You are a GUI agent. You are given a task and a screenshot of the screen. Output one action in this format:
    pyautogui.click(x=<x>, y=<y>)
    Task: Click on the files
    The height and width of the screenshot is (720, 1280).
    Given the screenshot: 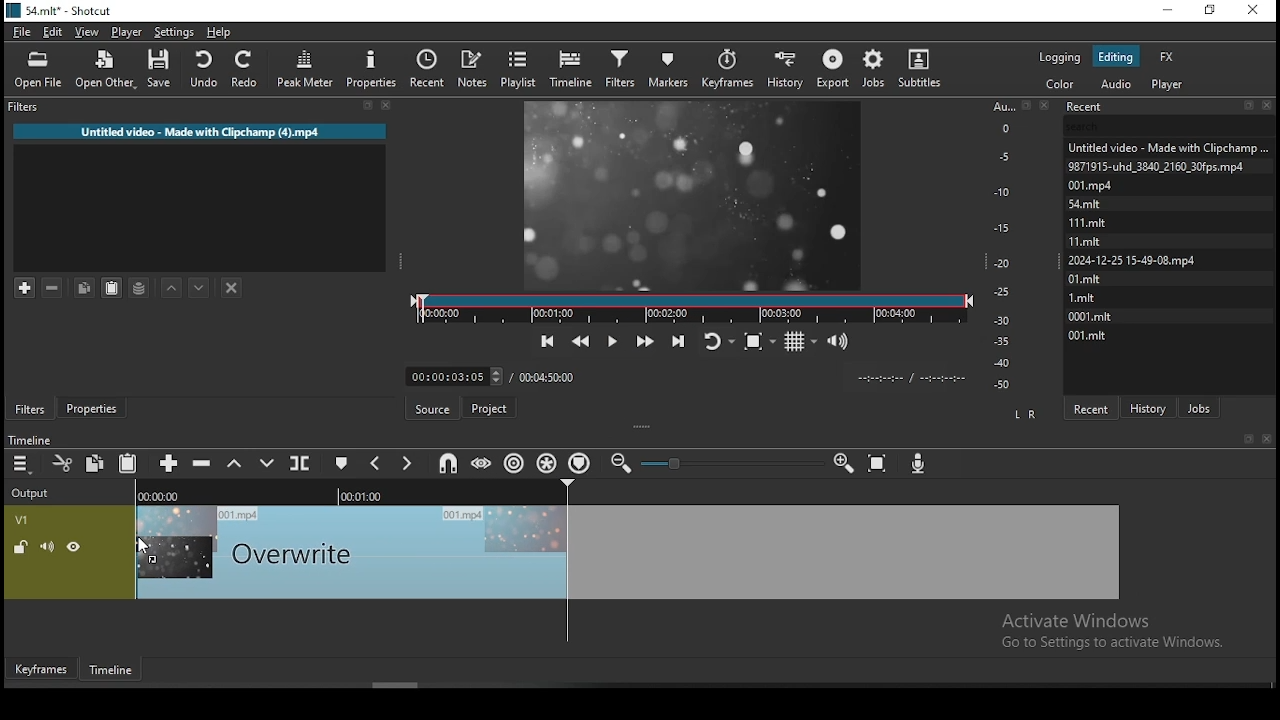 What is the action you would take?
    pyautogui.click(x=1093, y=336)
    